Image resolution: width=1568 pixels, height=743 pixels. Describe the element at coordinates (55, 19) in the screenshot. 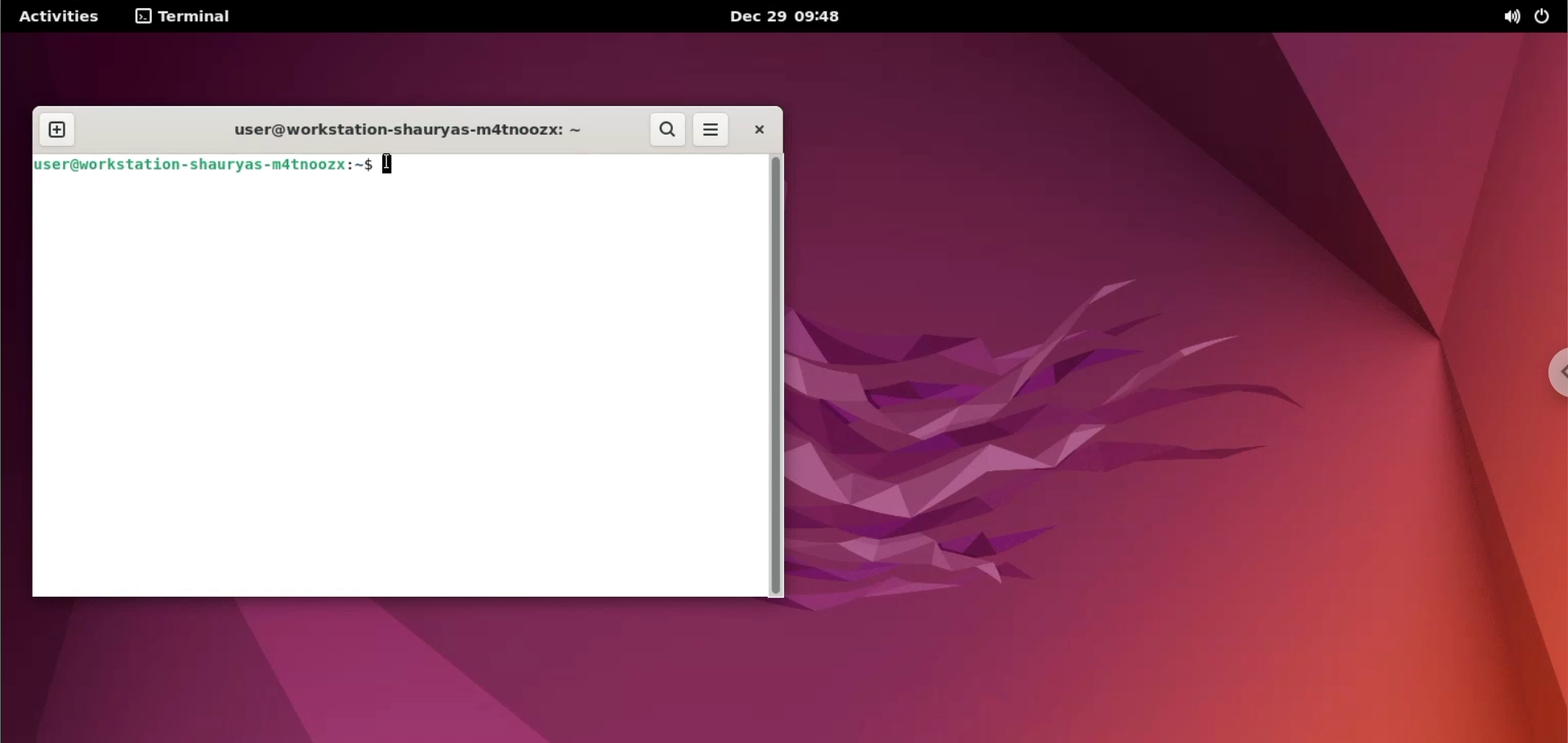

I see `Activities` at that location.